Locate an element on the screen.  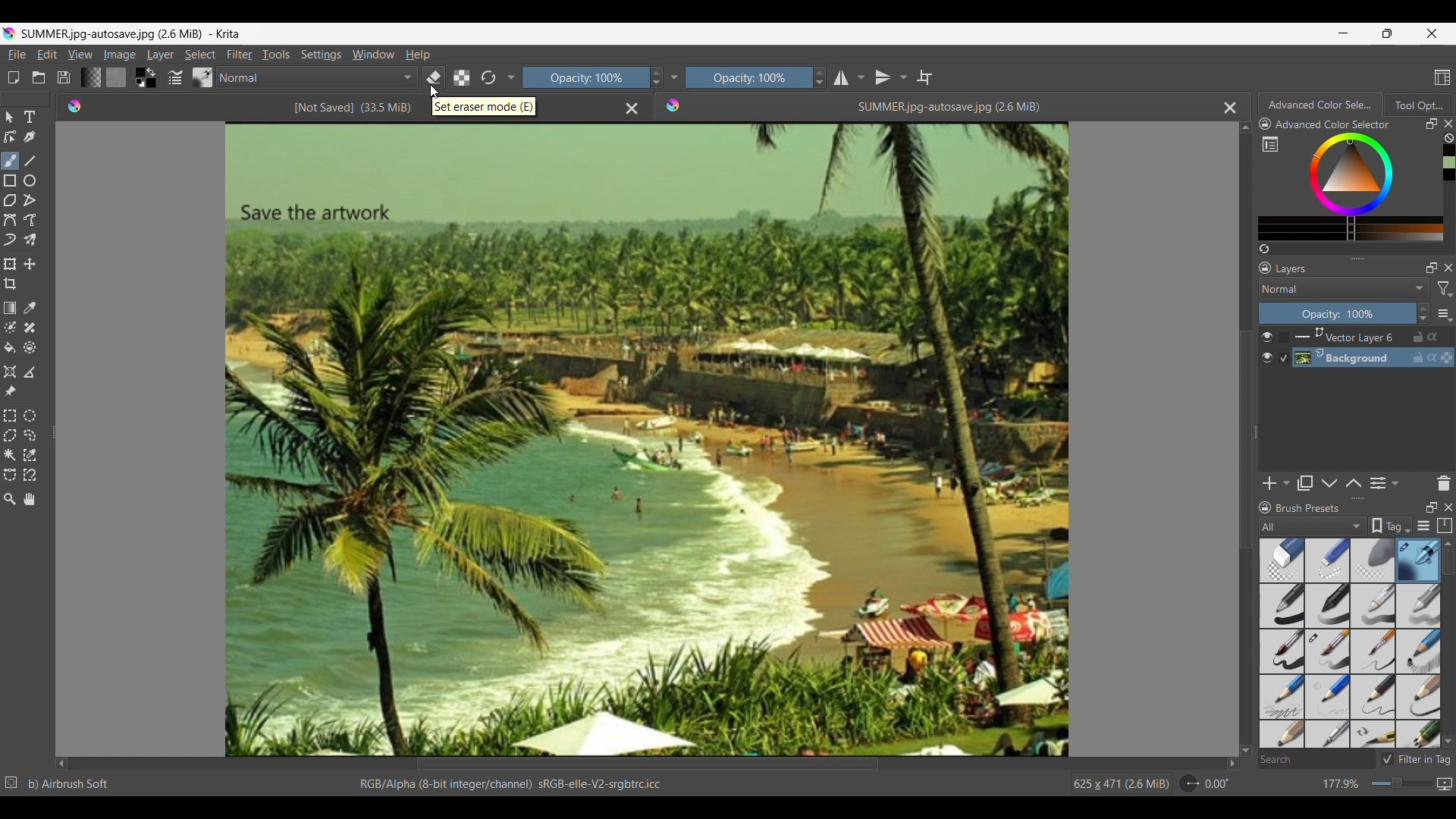
Filter options is located at coordinates (1445, 289).